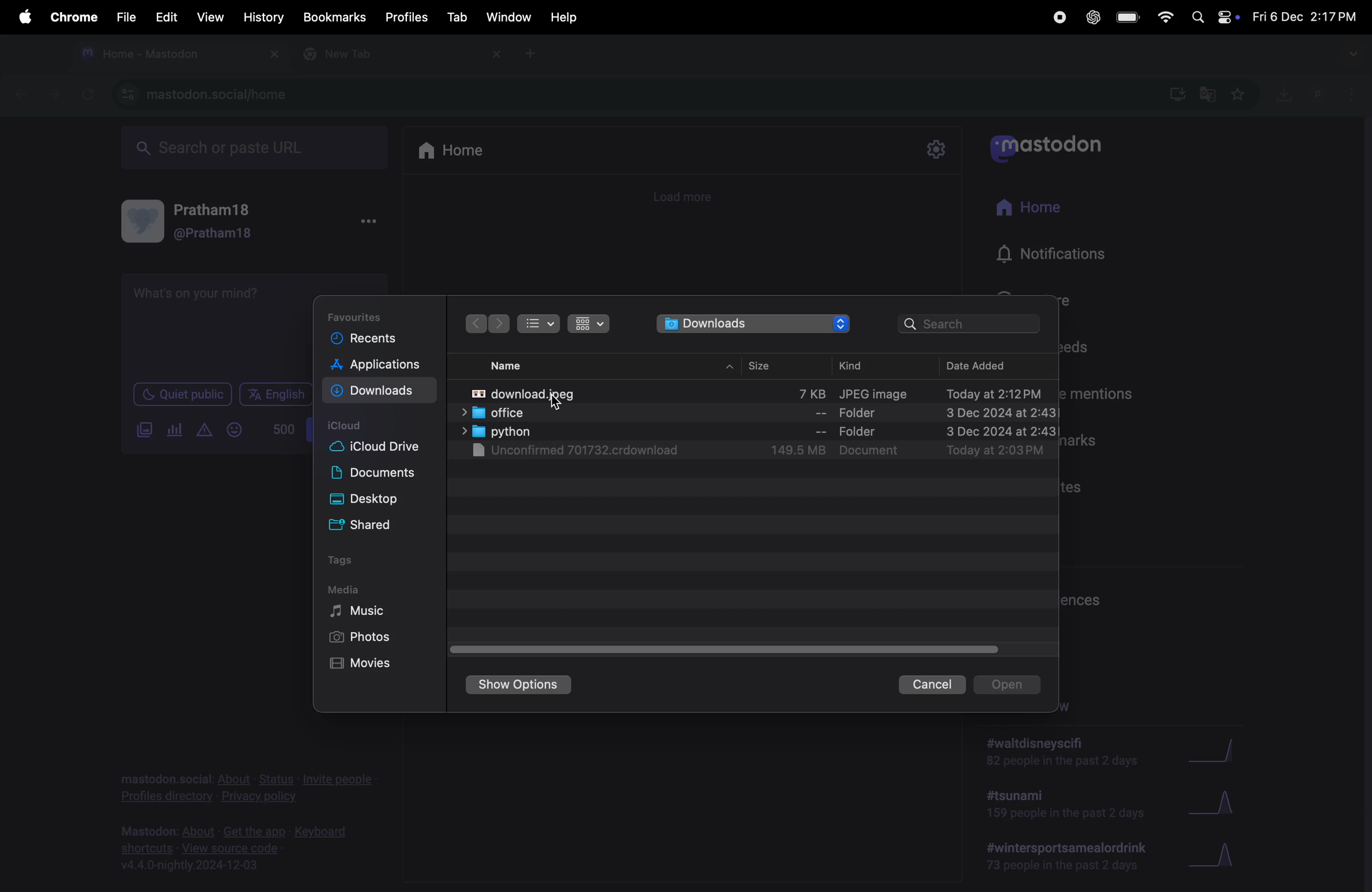  Describe the element at coordinates (1056, 254) in the screenshot. I see `notifications` at that location.